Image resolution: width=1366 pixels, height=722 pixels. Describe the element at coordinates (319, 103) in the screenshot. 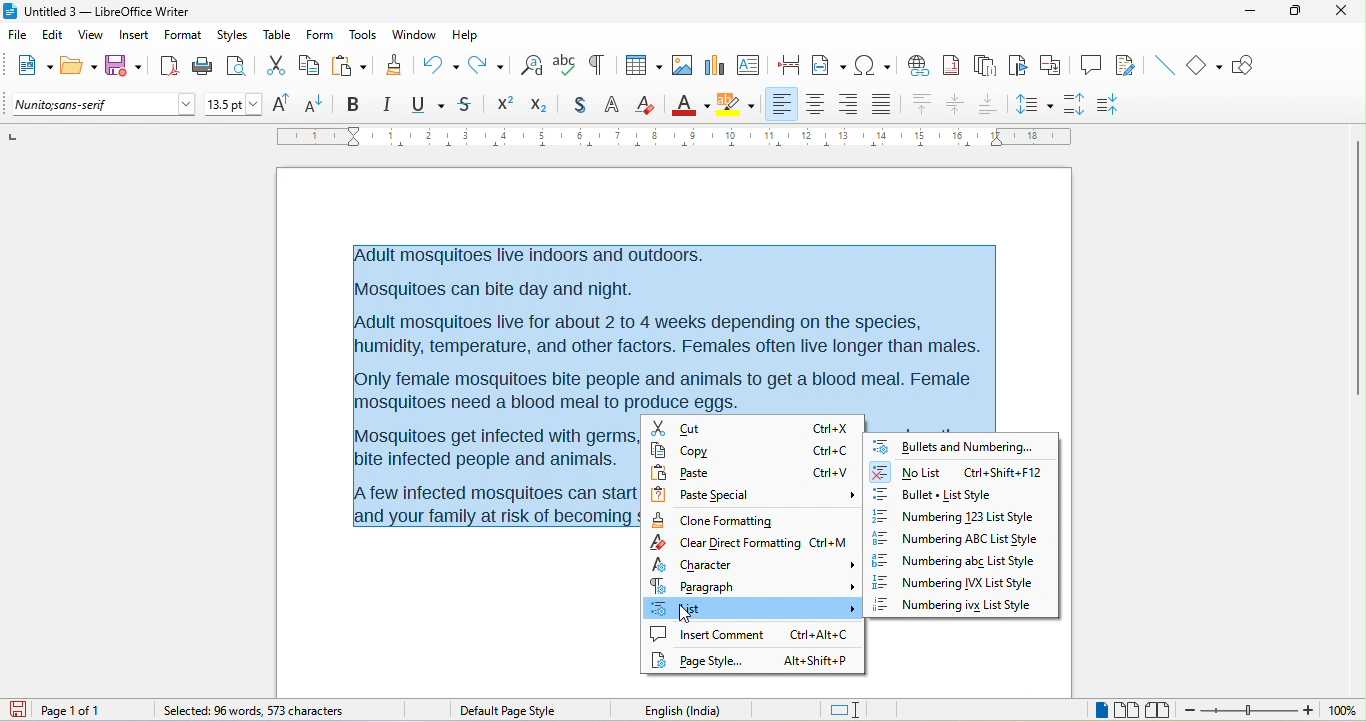

I see `decrease size` at that location.